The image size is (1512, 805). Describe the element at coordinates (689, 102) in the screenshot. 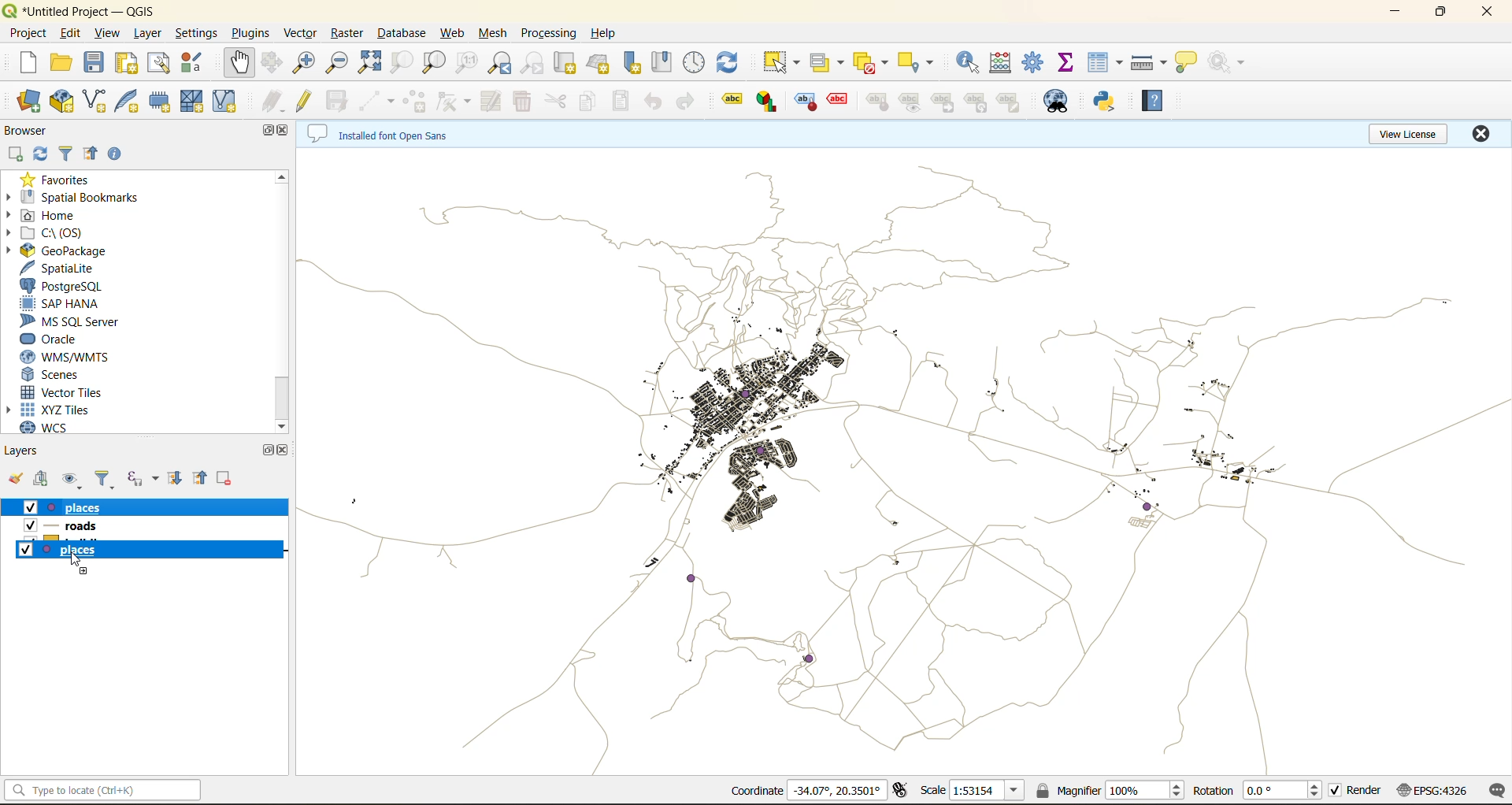

I see `redo` at that location.